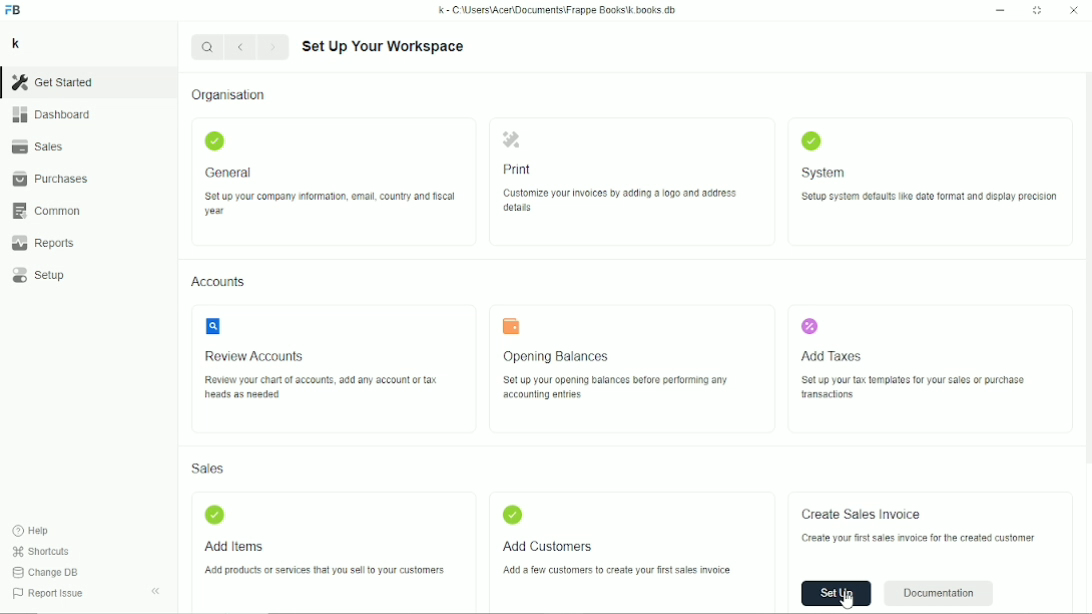  I want to click on Shortcuts, so click(42, 551).